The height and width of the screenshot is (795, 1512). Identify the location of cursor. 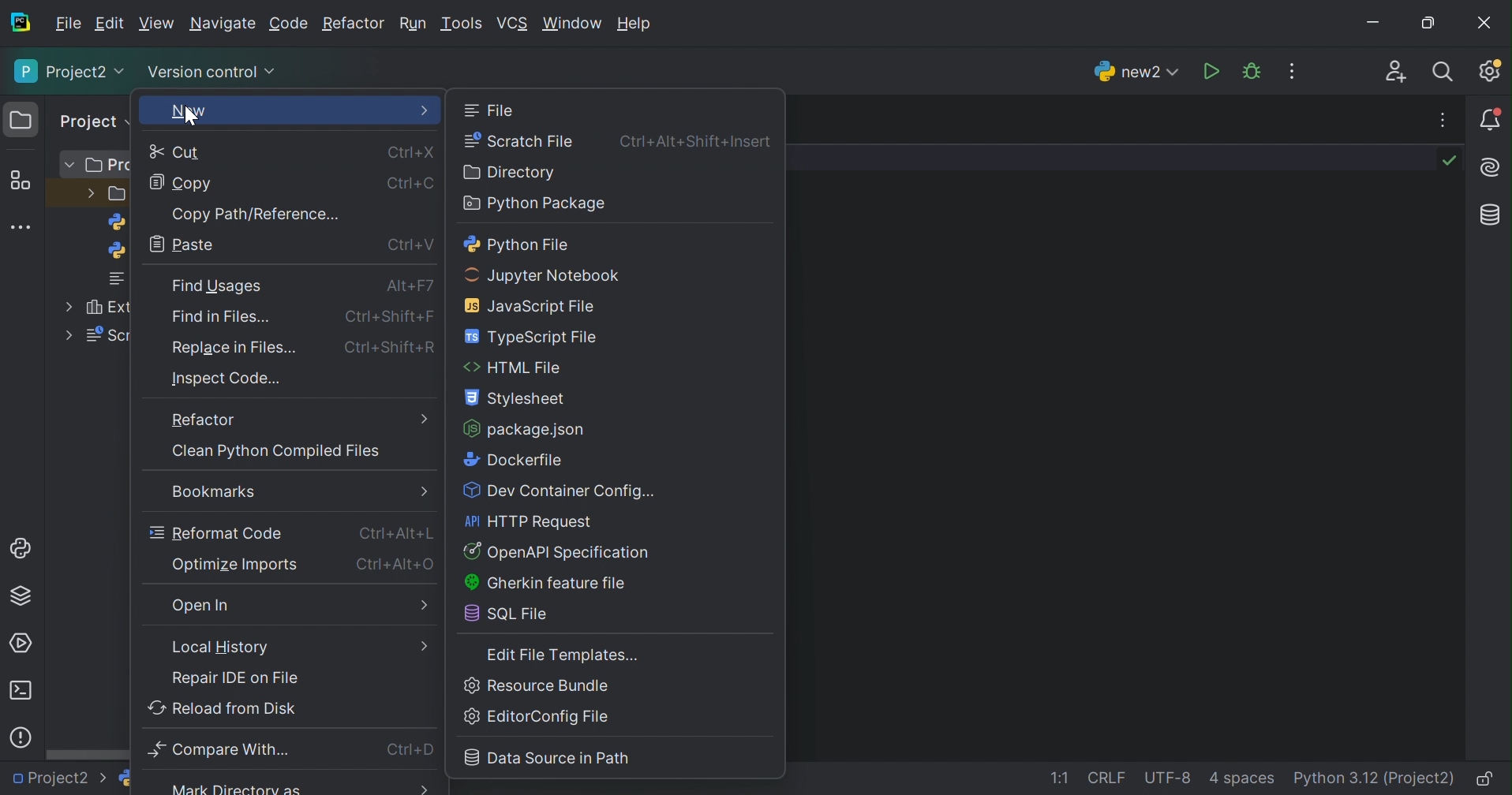
(189, 117).